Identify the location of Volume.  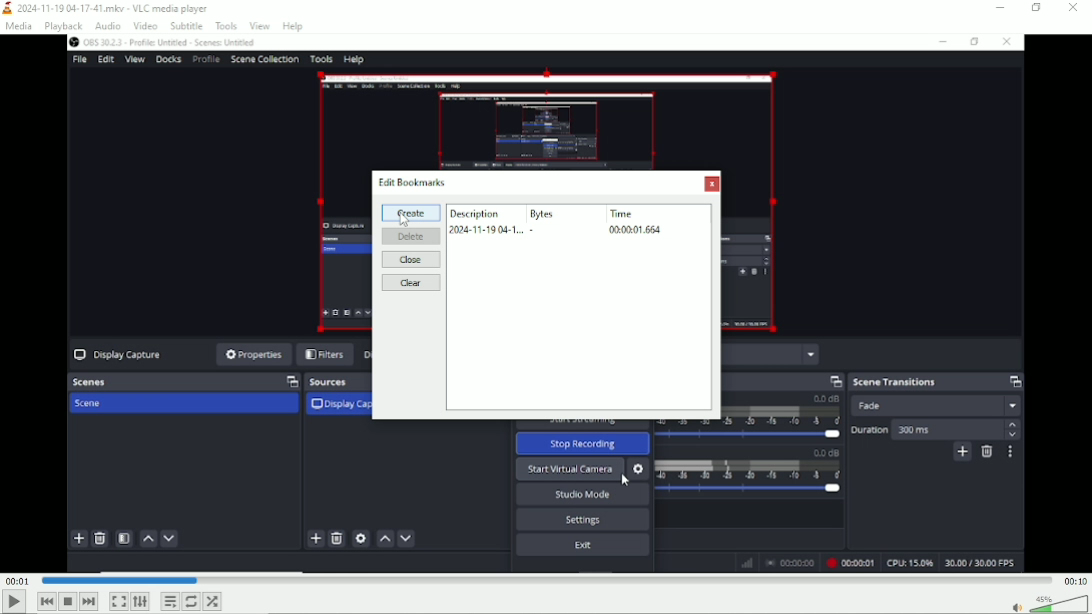
(1048, 602).